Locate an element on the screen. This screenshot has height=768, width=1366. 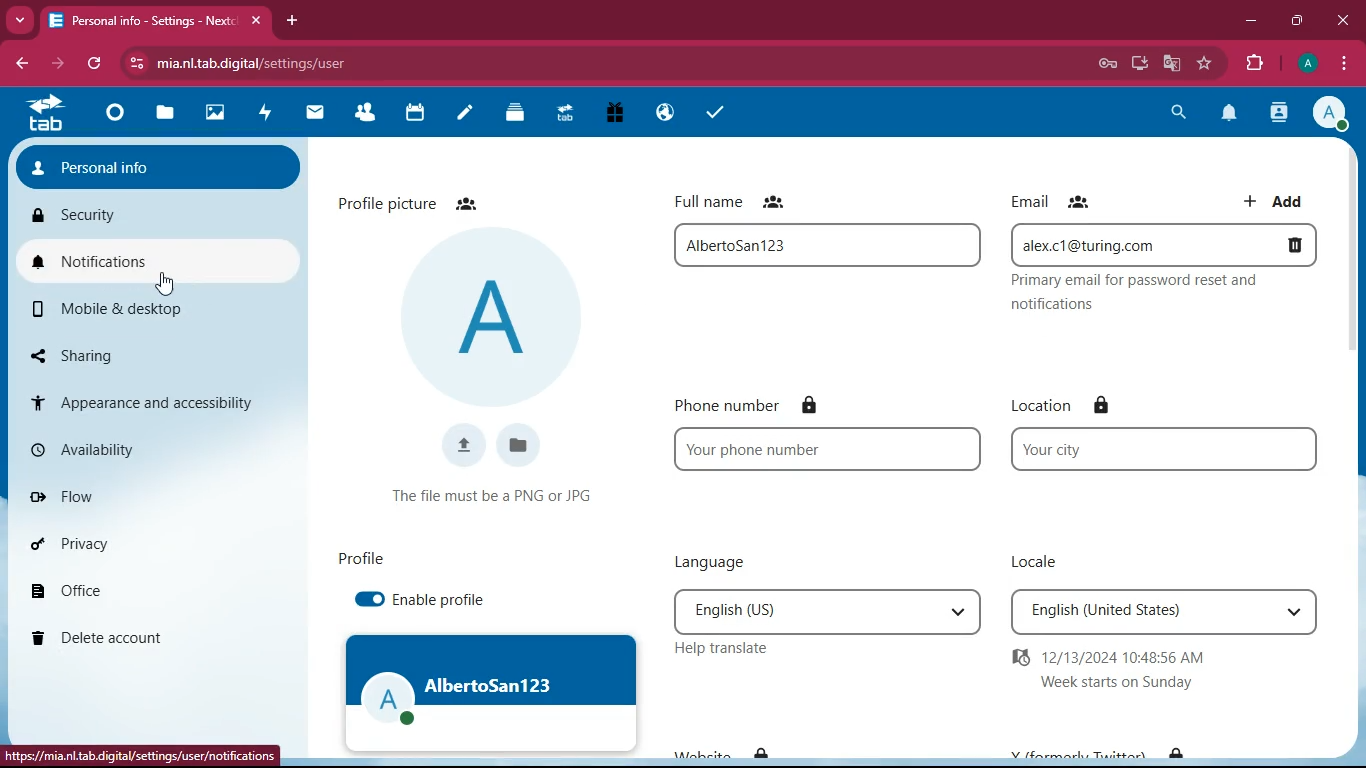
Friends is located at coordinates (1076, 201).